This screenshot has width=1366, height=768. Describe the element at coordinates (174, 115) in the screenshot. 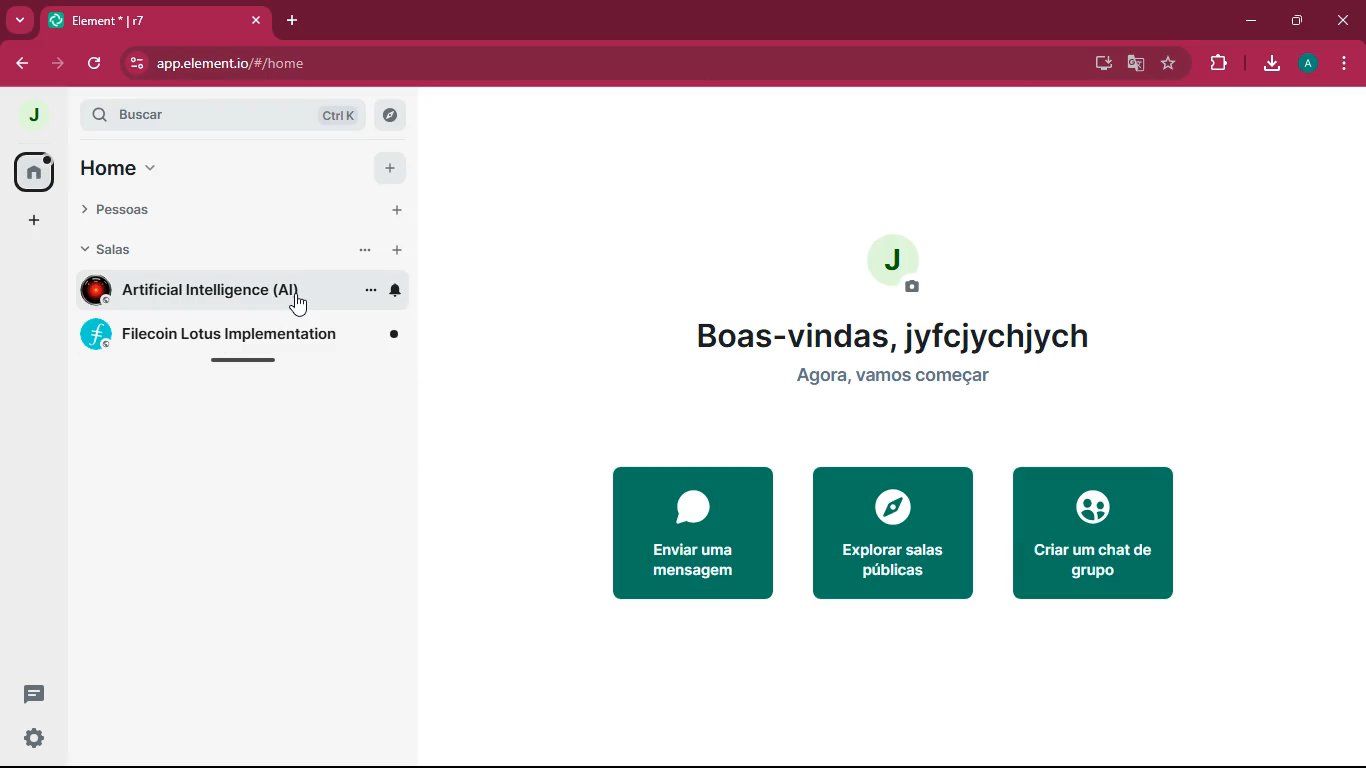

I see `buscar` at that location.